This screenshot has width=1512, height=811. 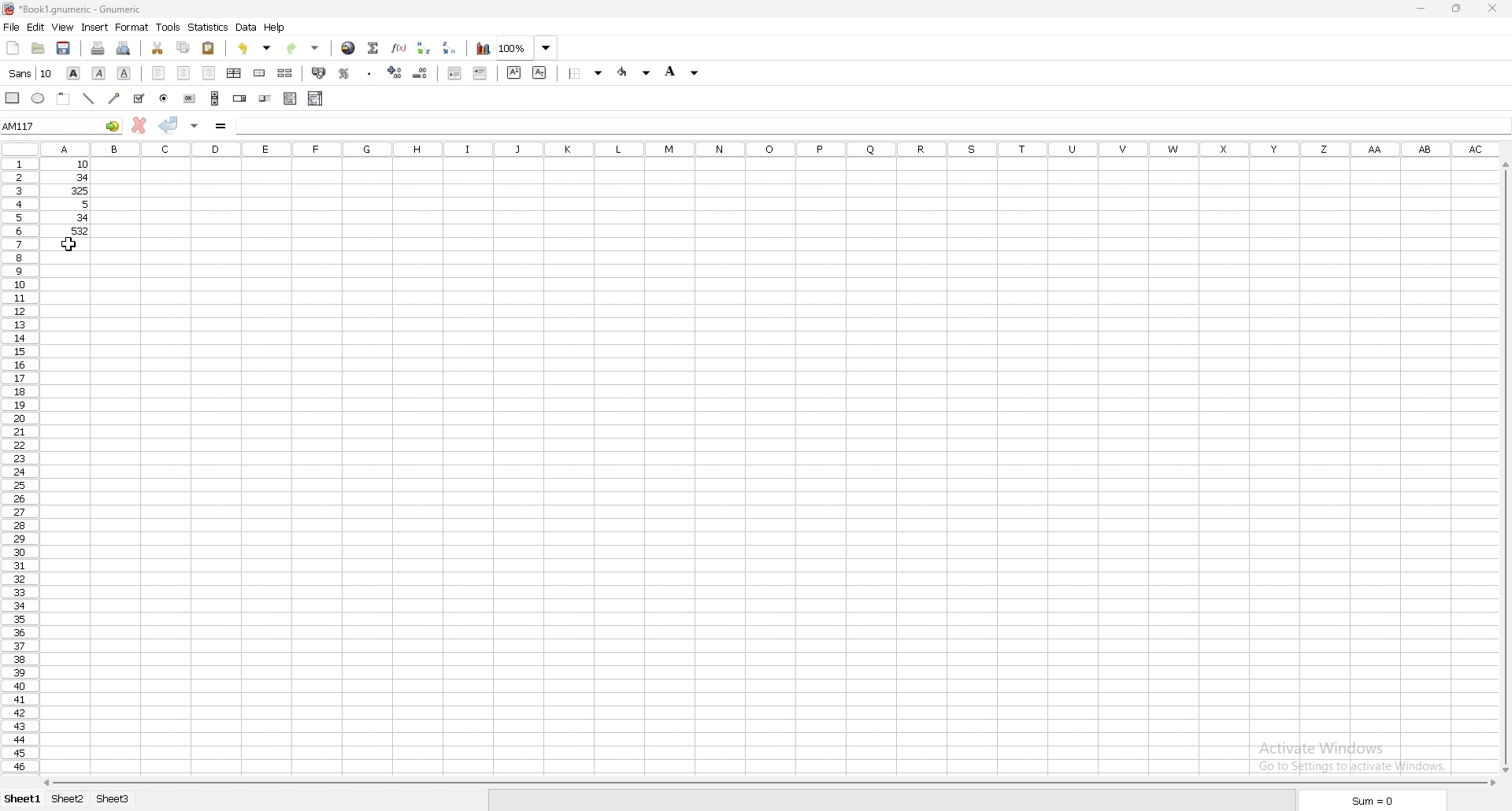 What do you see at coordinates (70, 218) in the screenshot?
I see `34` at bounding box center [70, 218].